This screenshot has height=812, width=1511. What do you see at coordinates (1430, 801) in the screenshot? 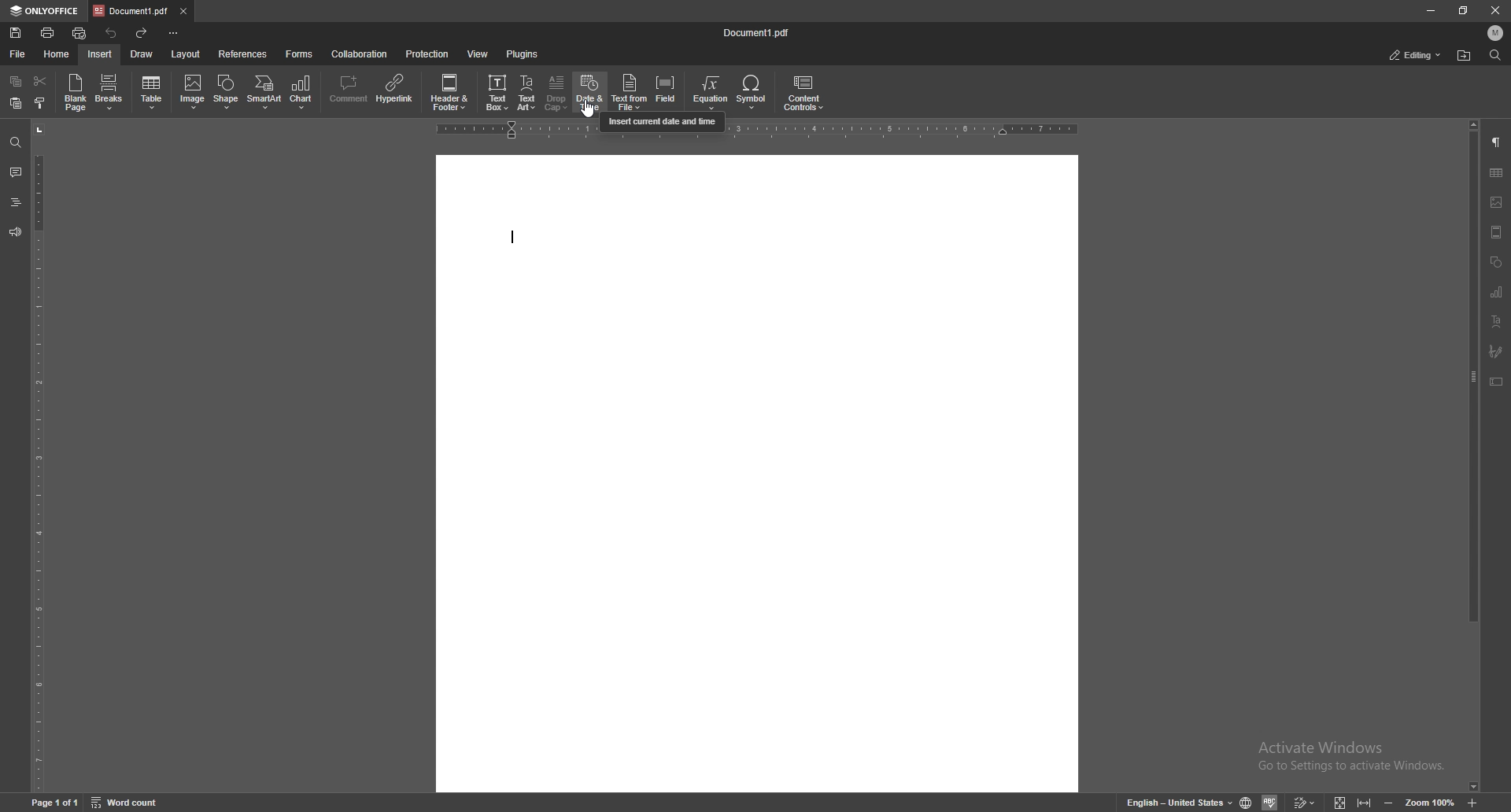
I see `zoom` at bounding box center [1430, 801].